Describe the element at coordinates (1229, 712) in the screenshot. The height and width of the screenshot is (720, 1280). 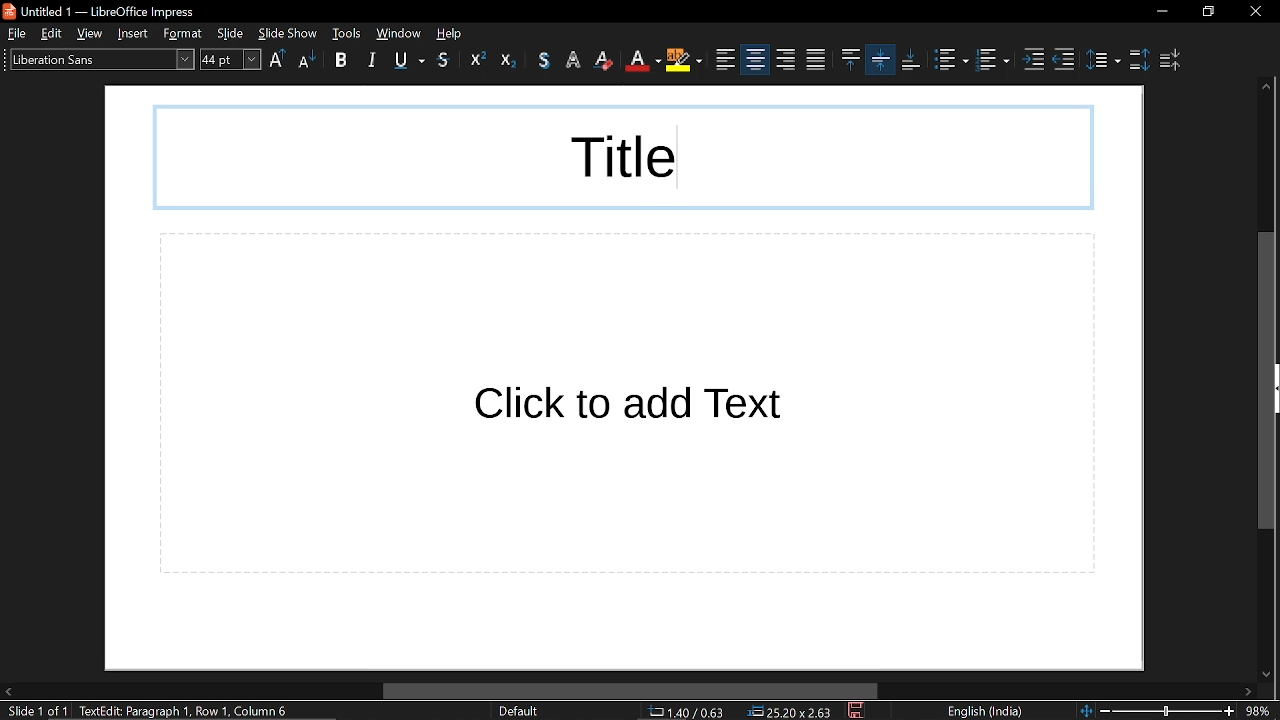
I see `zoom in` at that location.